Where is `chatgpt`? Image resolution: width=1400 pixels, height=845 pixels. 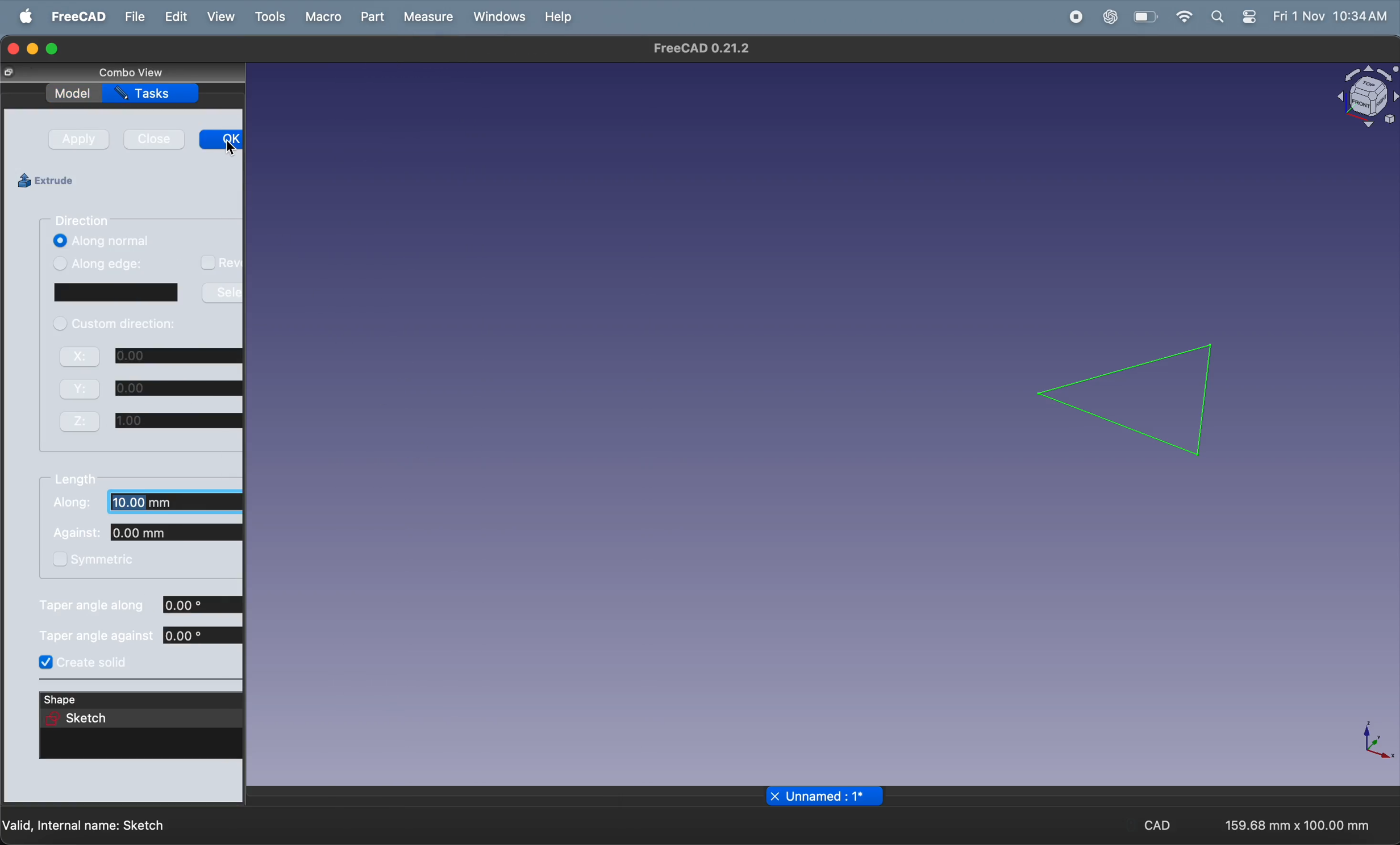 chatgpt is located at coordinates (1112, 16).